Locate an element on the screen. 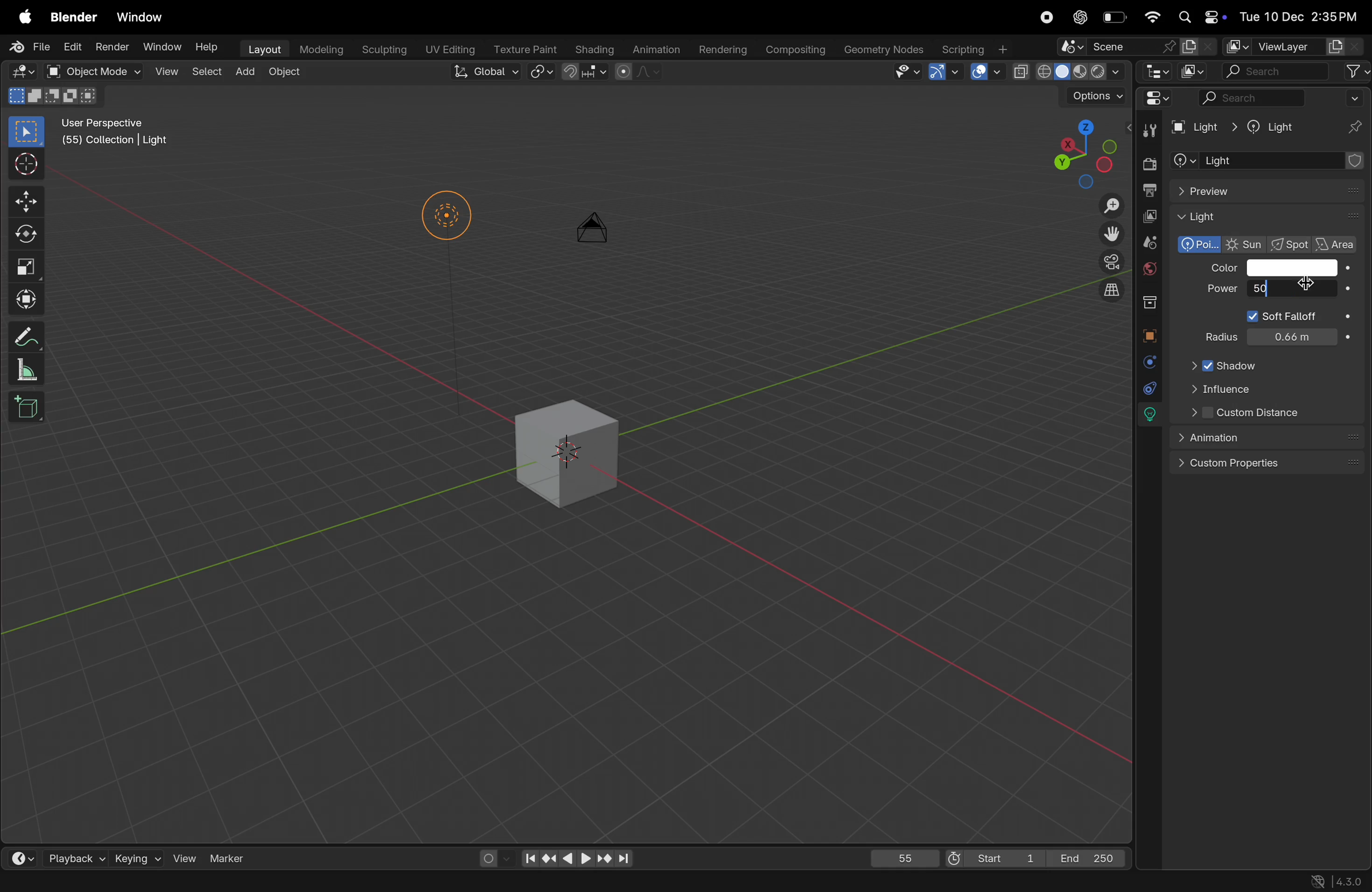  color is located at coordinates (1299, 269).